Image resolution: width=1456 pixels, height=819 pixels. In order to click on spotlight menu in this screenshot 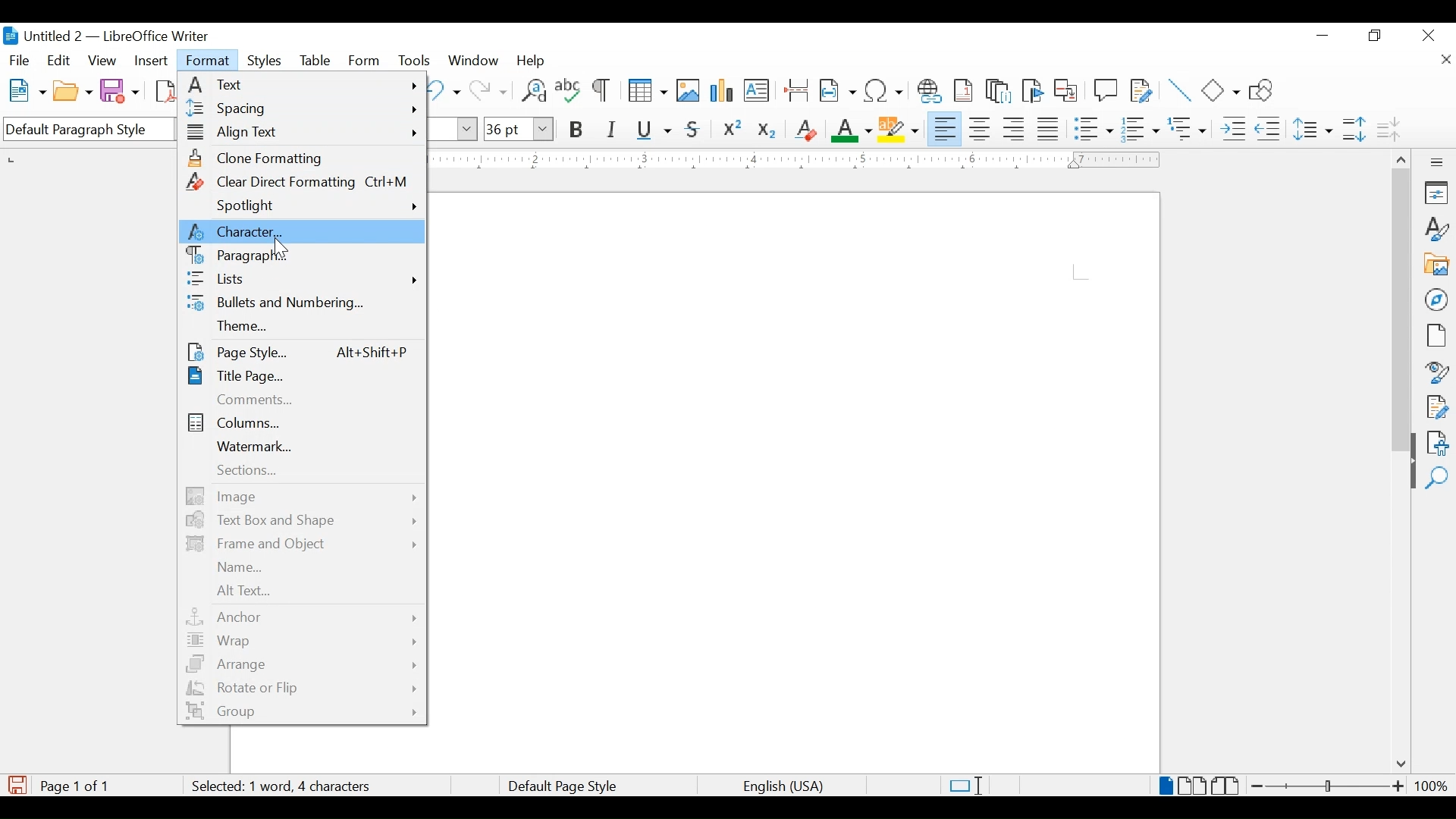, I will do `click(318, 206)`.